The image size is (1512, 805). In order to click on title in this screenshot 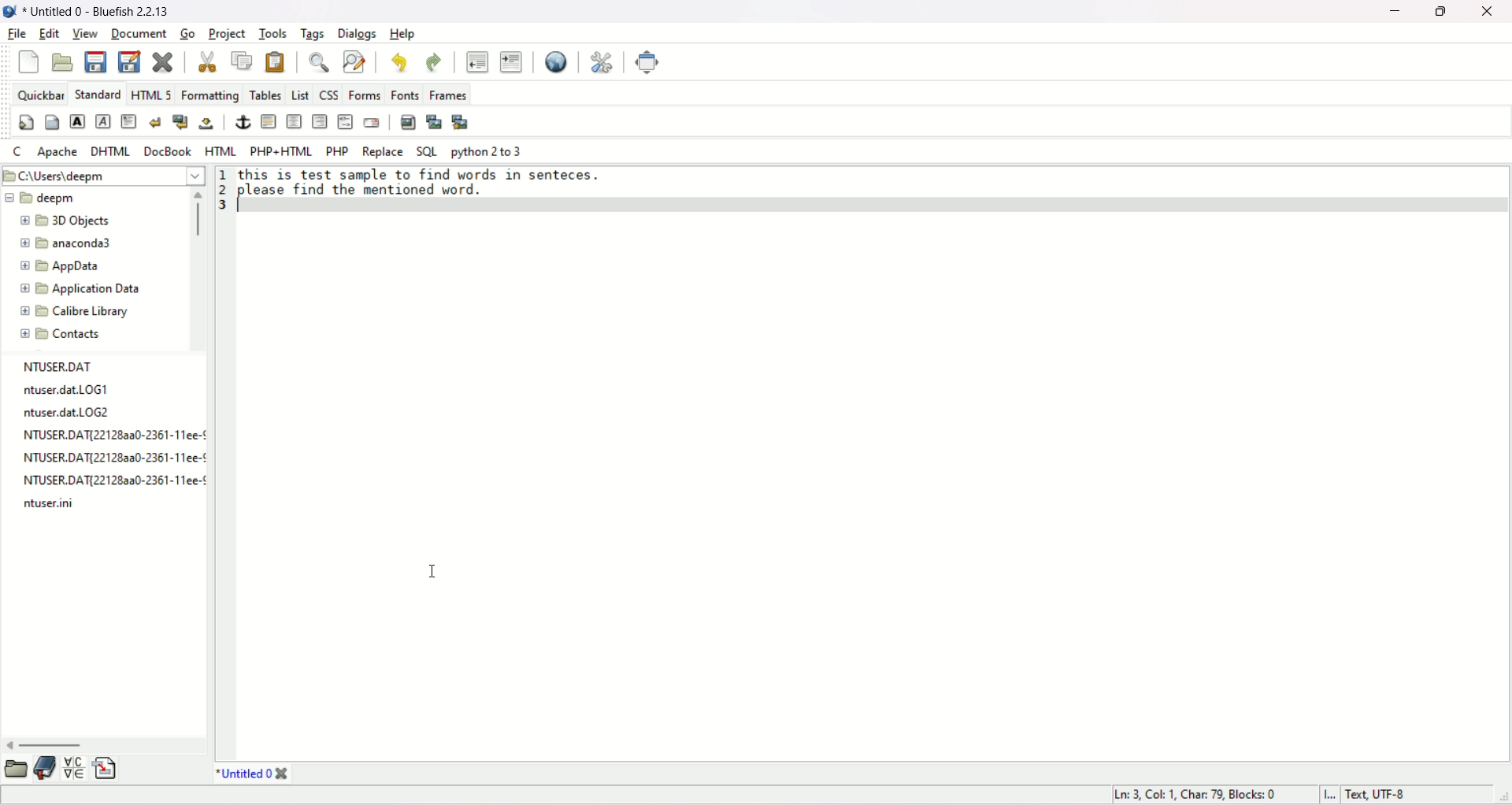, I will do `click(243, 773)`.